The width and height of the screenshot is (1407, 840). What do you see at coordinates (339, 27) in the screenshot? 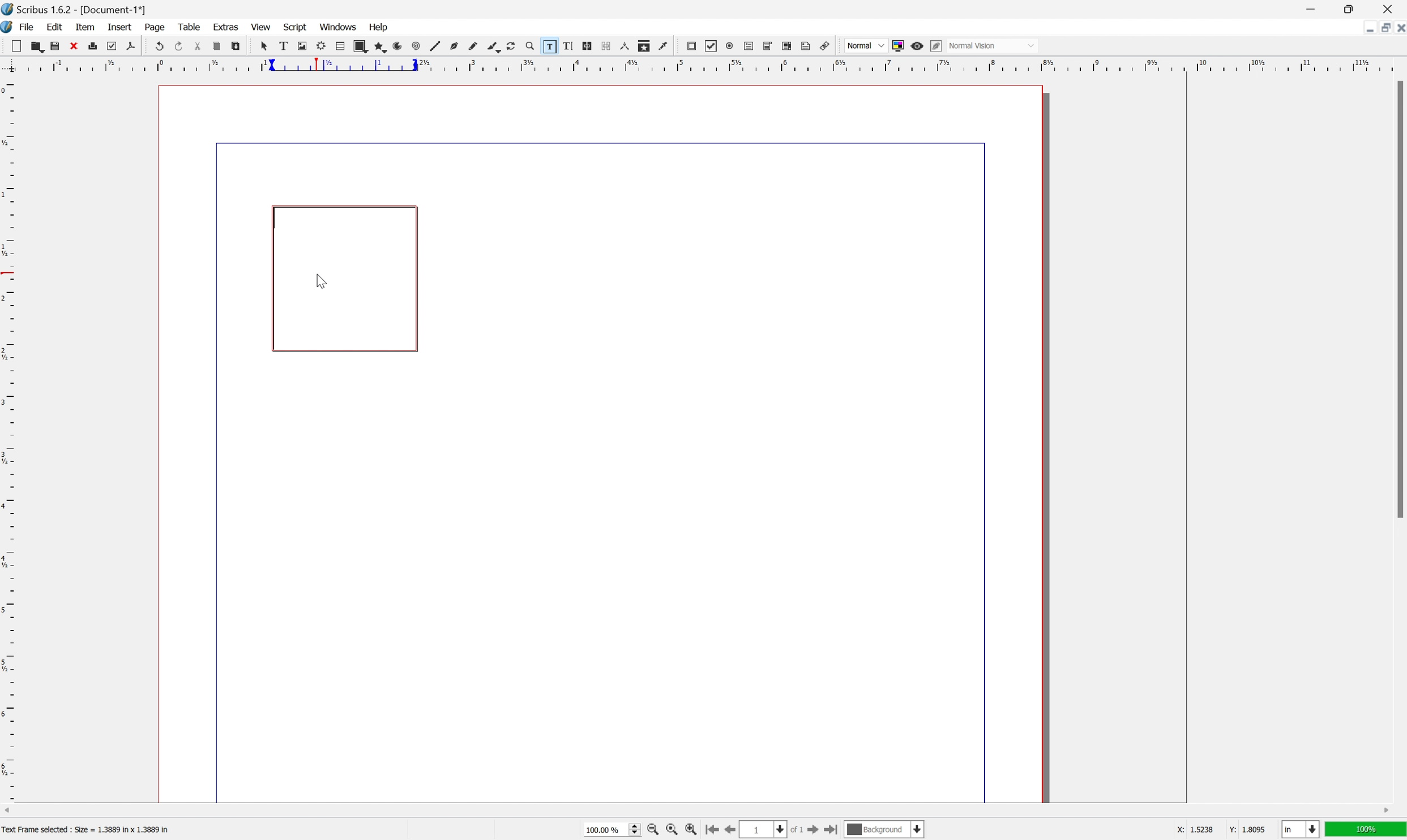
I see `windows` at bounding box center [339, 27].